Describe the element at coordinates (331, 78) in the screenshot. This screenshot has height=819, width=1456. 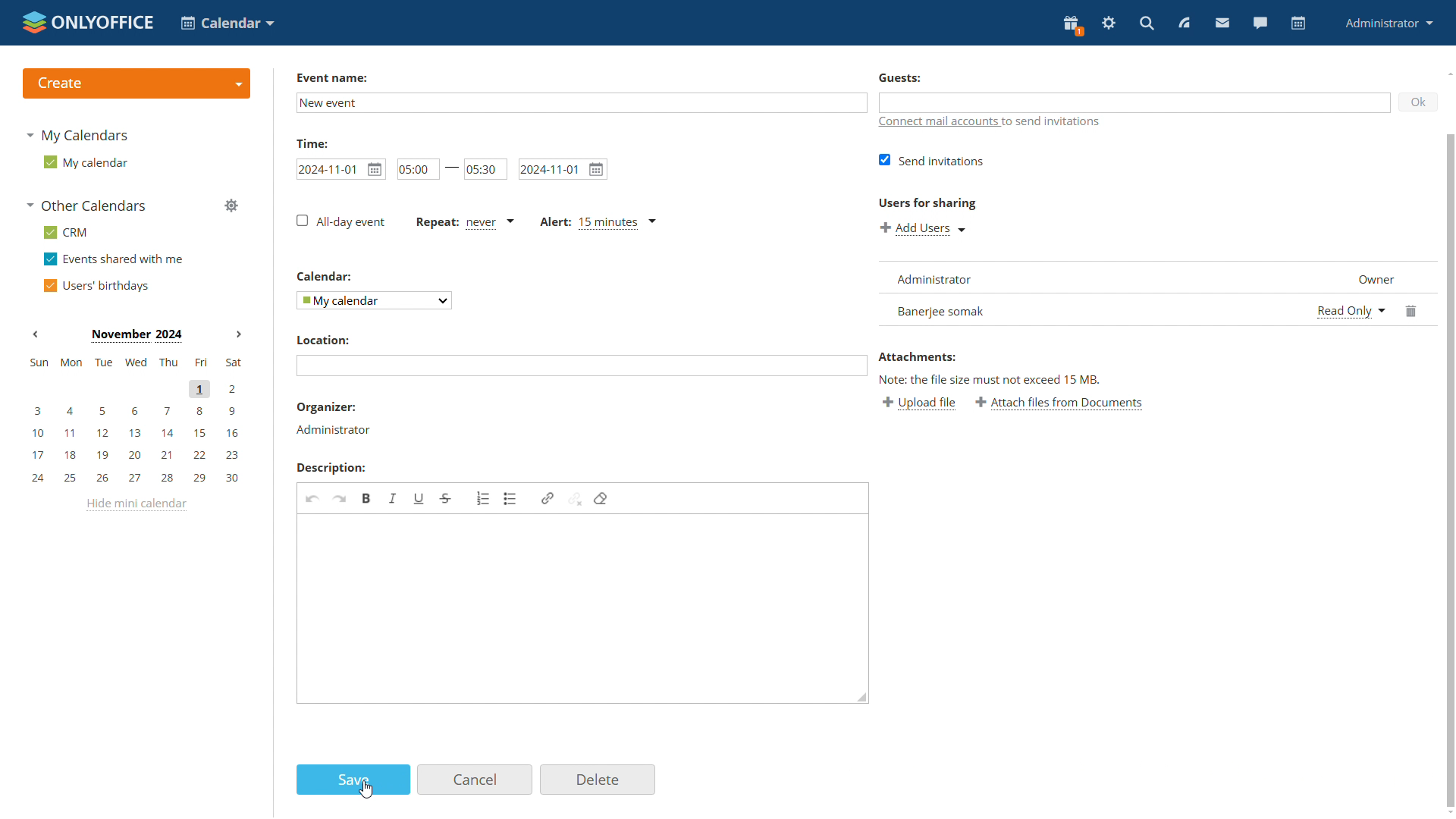
I see `Event name` at that location.